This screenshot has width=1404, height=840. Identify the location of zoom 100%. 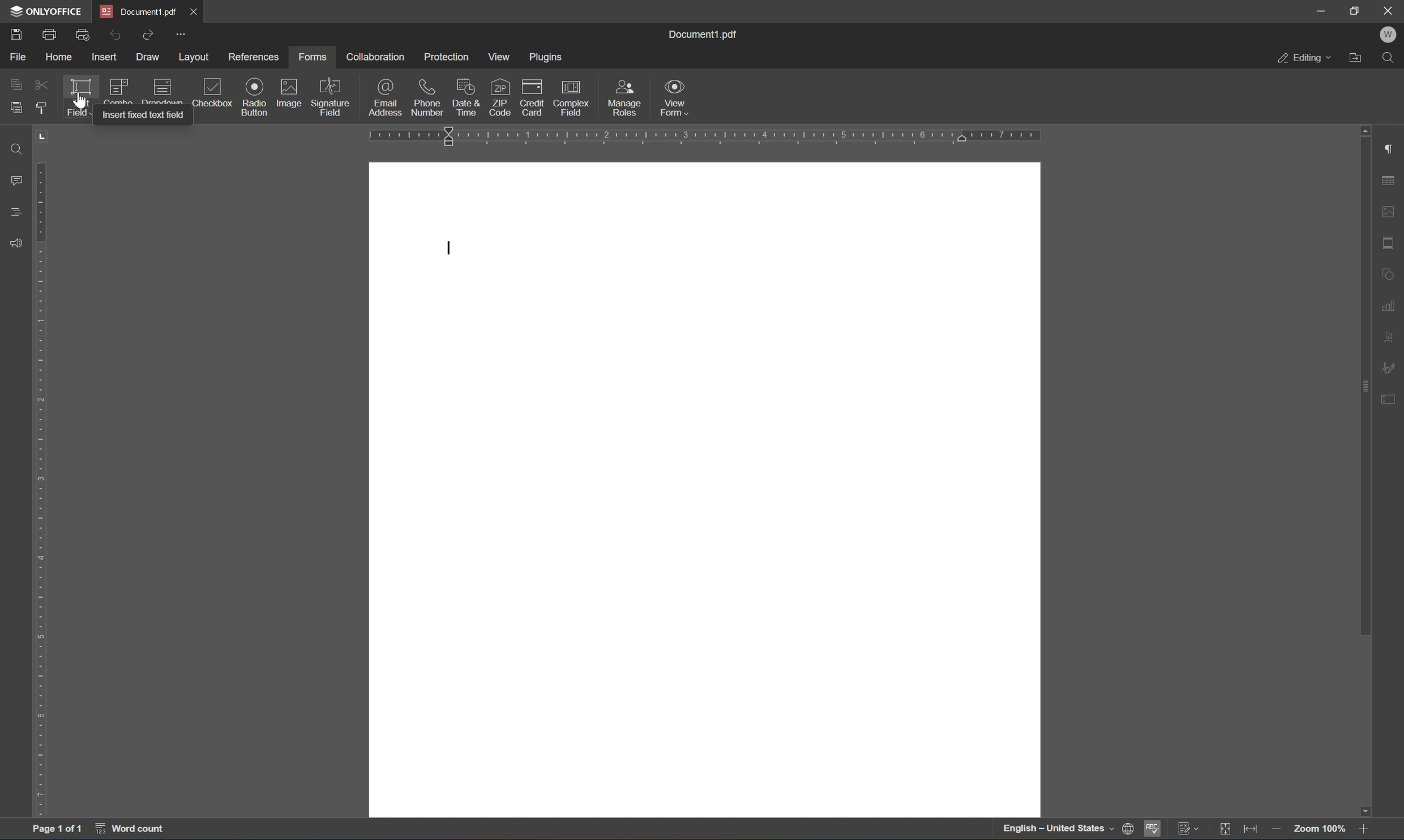
(1319, 830).